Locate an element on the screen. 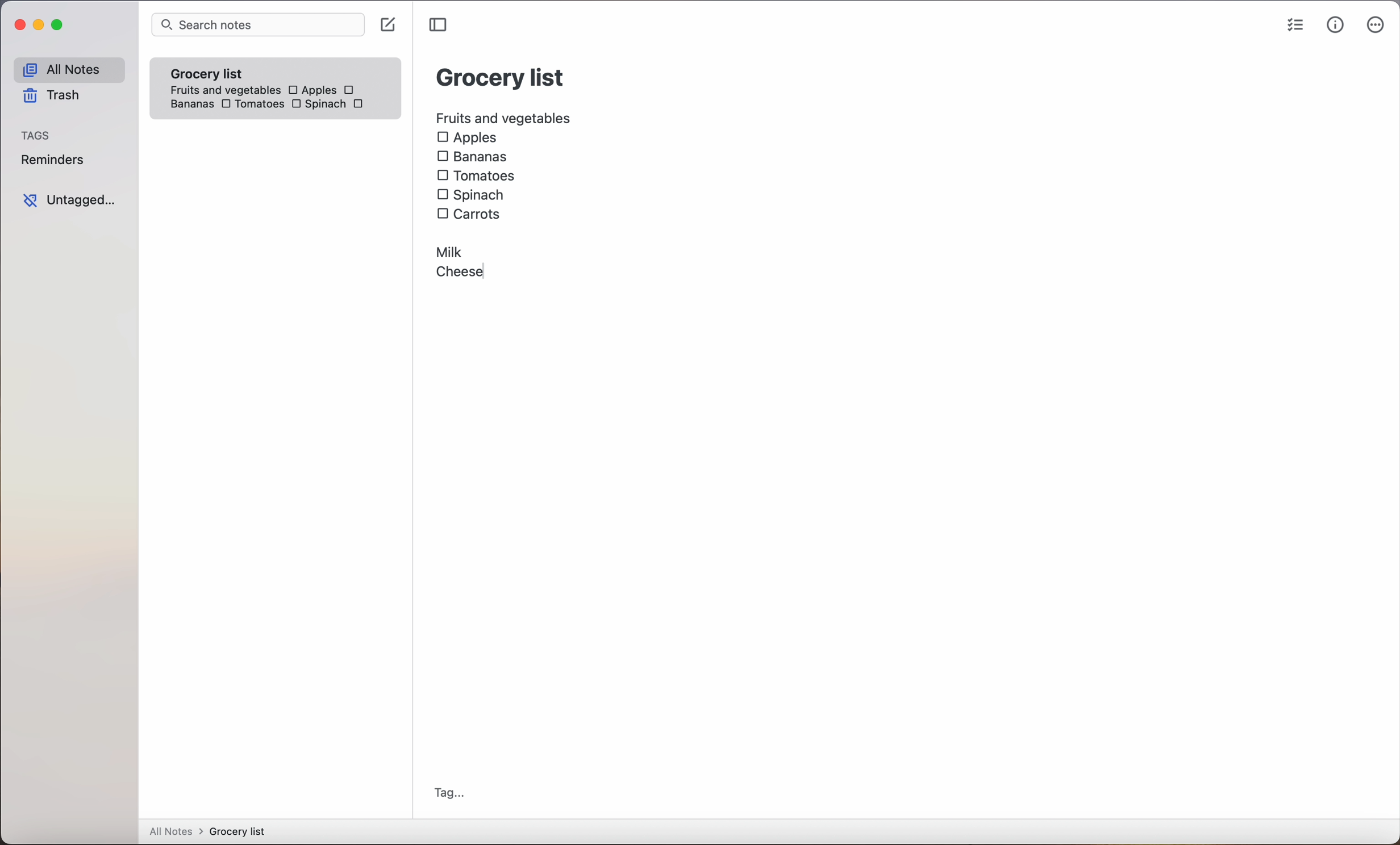 The image size is (1400, 845). click on create note is located at coordinates (390, 26).